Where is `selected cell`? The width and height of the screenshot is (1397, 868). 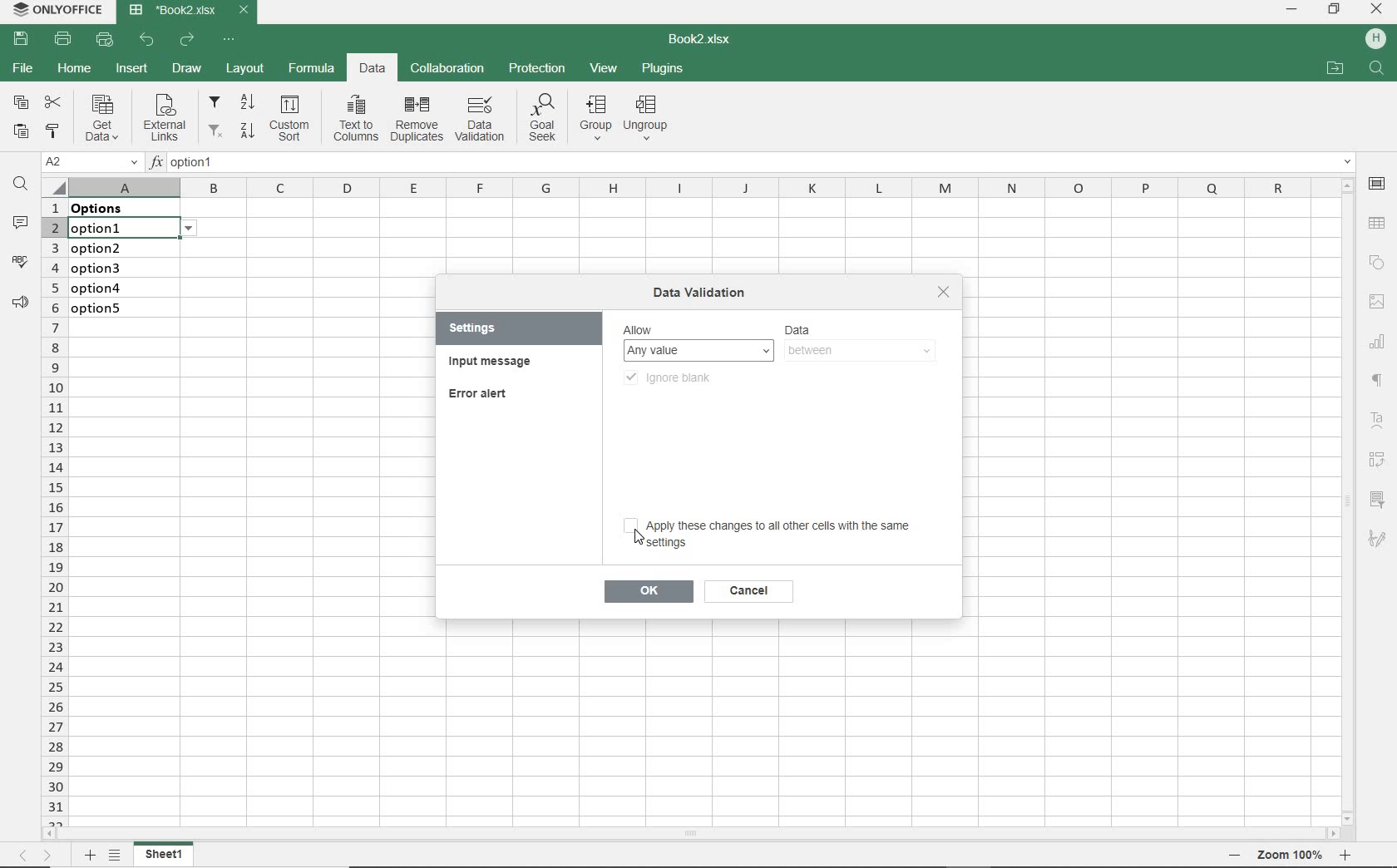 selected cell is located at coordinates (124, 230).